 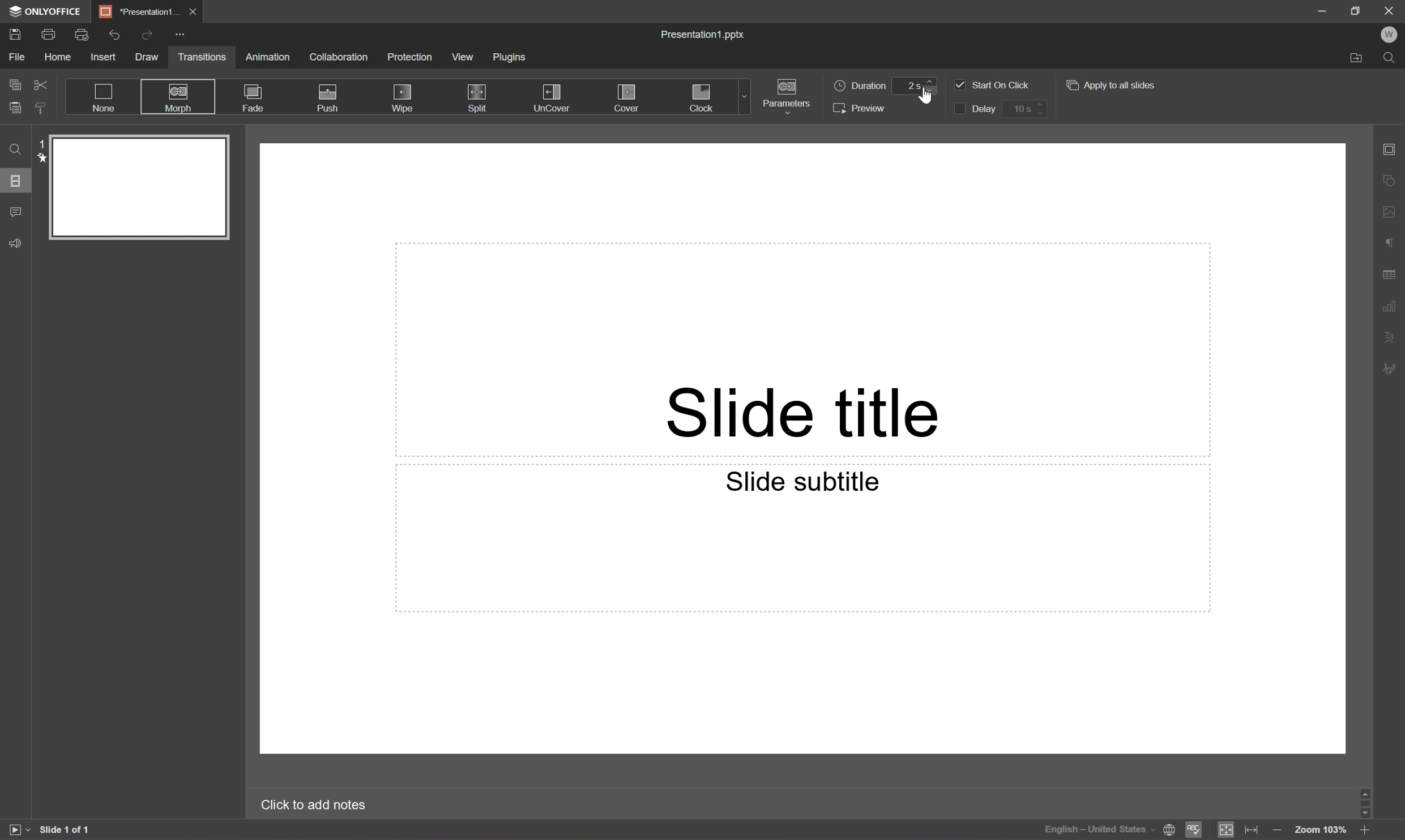 What do you see at coordinates (1322, 830) in the screenshot?
I see `Zoom 103%` at bounding box center [1322, 830].